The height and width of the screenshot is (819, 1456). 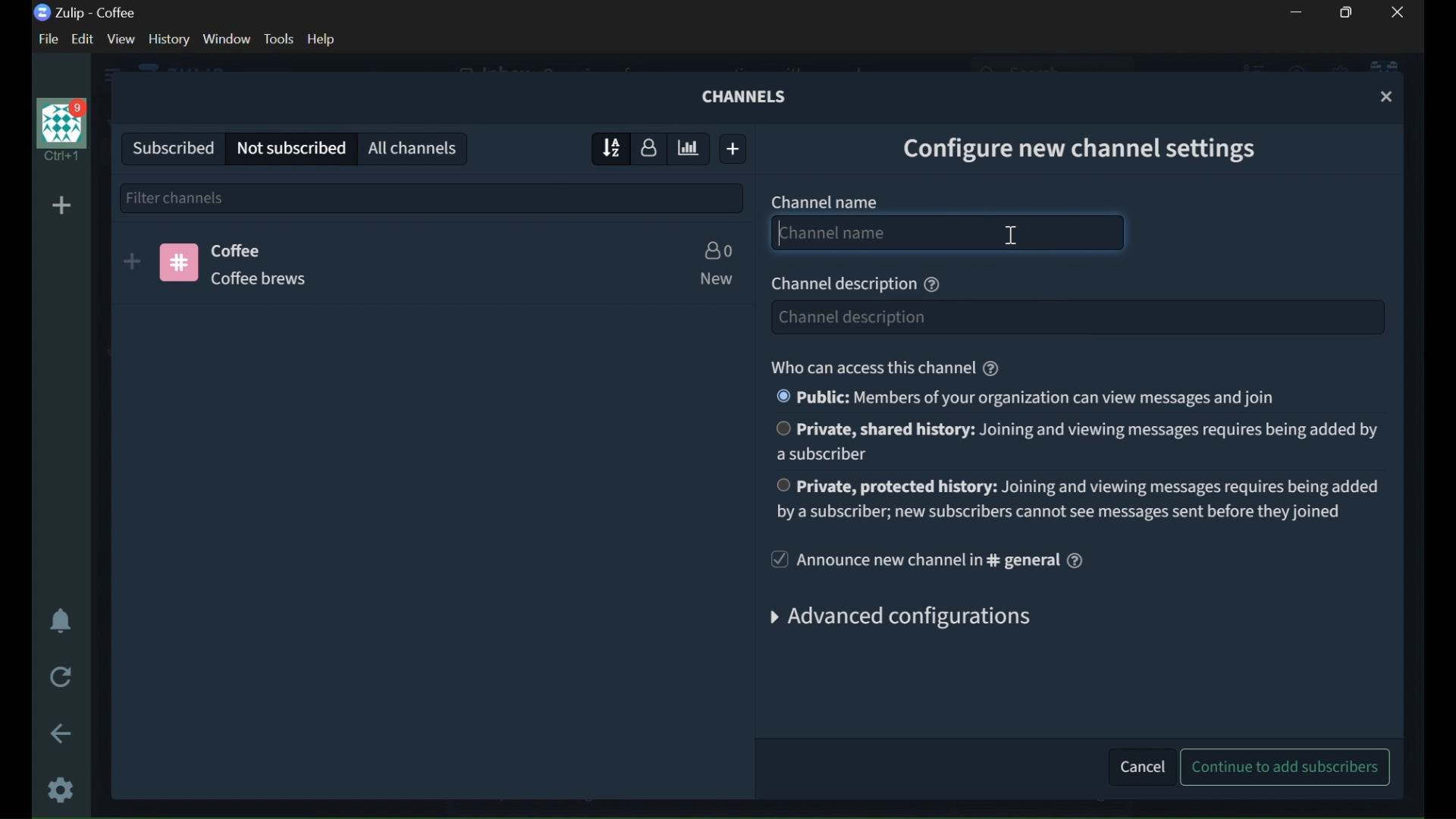 What do you see at coordinates (1350, 12) in the screenshot?
I see `RESTORE DOWN` at bounding box center [1350, 12].